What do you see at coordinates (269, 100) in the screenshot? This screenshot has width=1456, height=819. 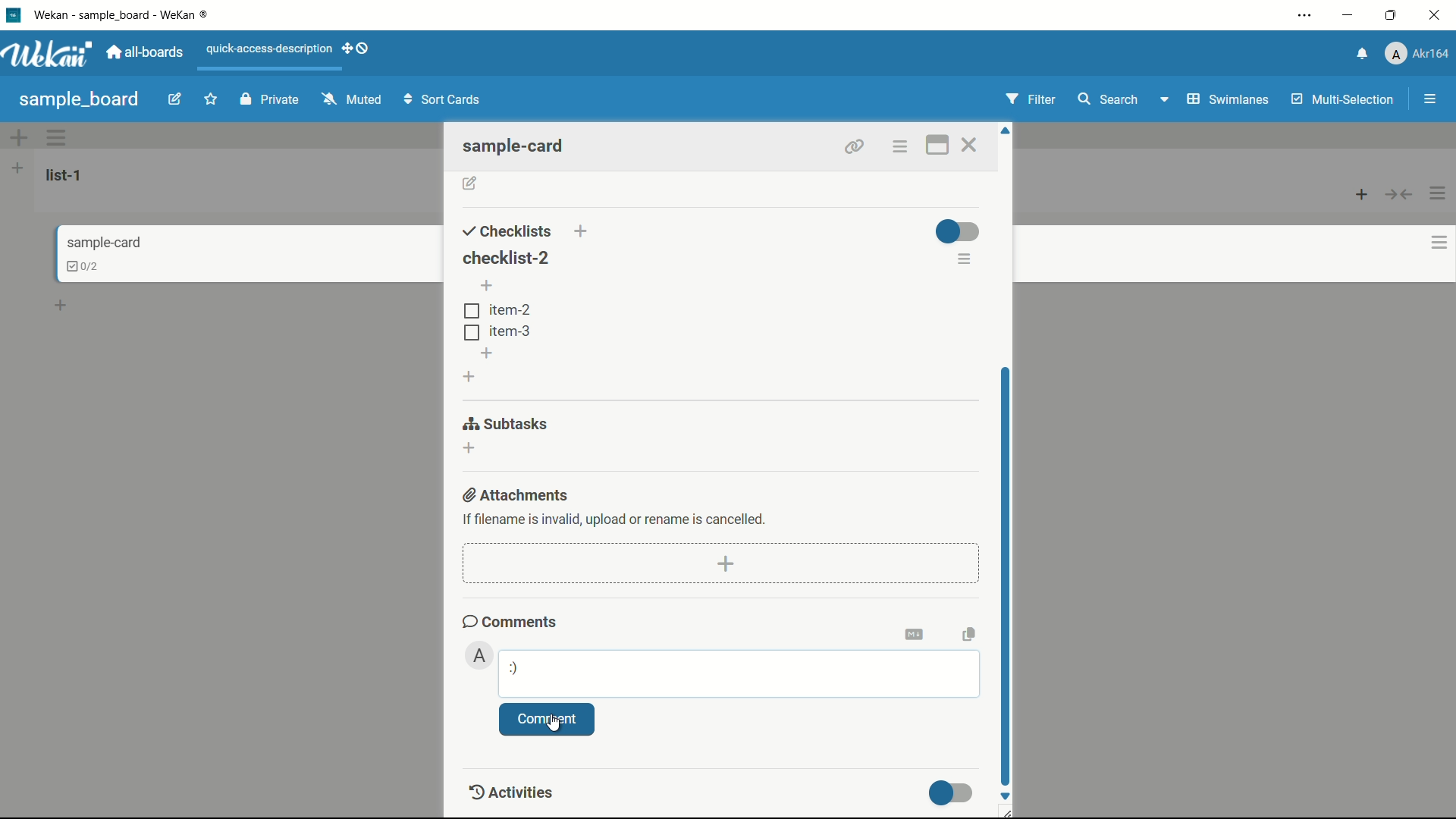 I see `private` at bounding box center [269, 100].